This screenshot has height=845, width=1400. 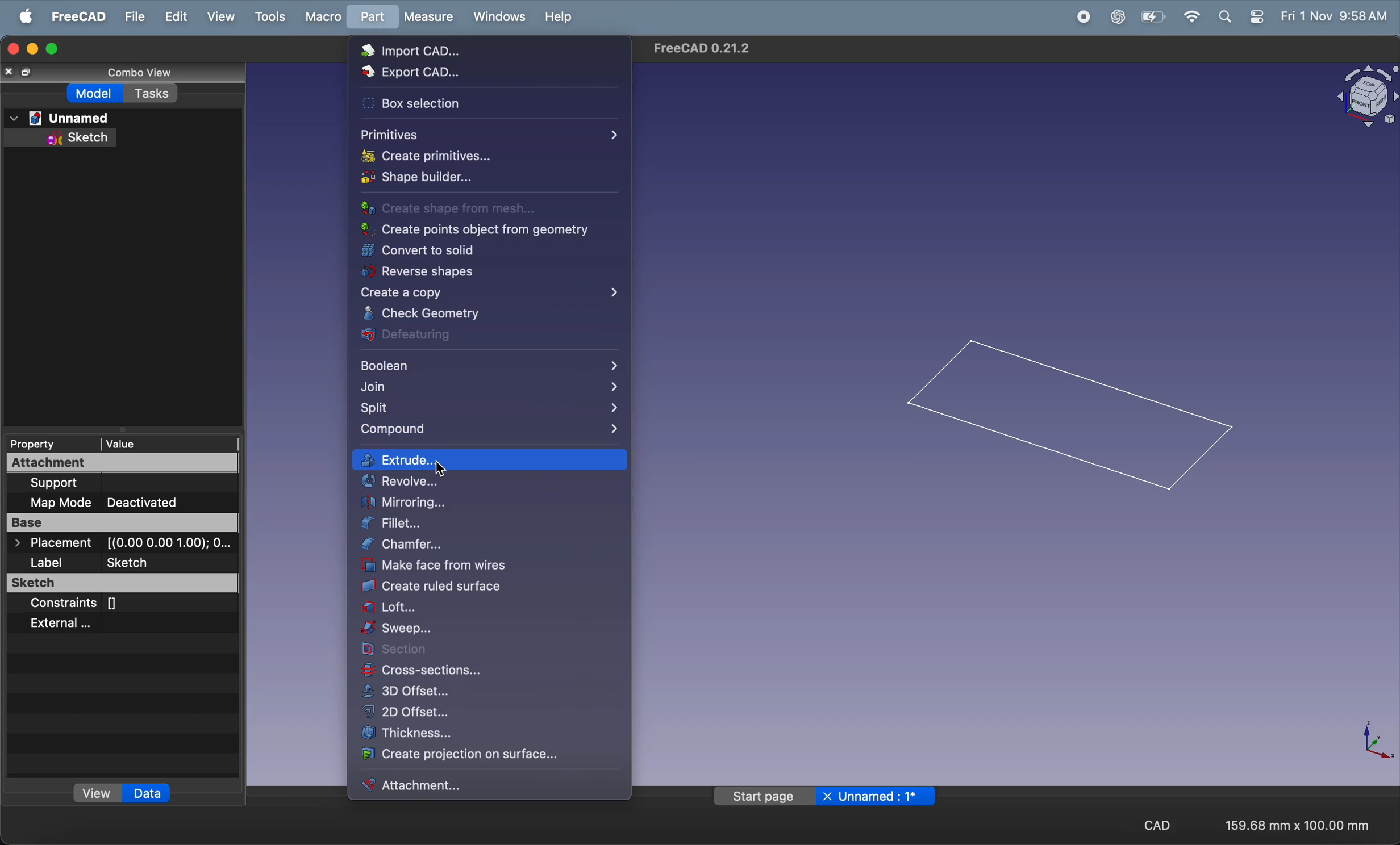 I want to click on apple widgets, so click(x=1240, y=16).